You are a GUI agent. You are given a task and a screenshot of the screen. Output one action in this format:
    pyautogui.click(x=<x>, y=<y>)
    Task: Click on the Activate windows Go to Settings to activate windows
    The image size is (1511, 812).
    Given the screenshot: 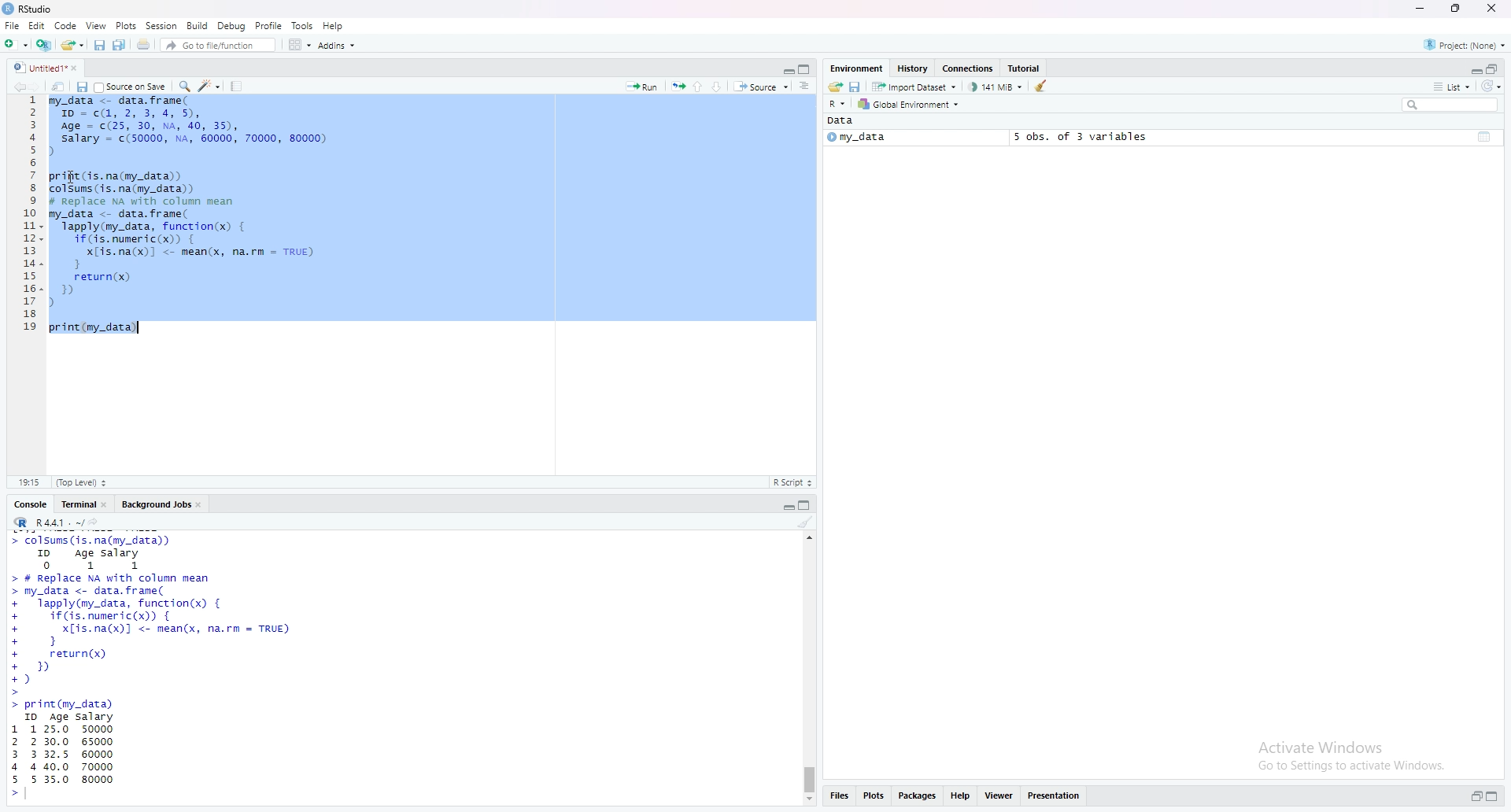 What is the action you would take?
    pyautogui.click(x=1337, y=755)
    